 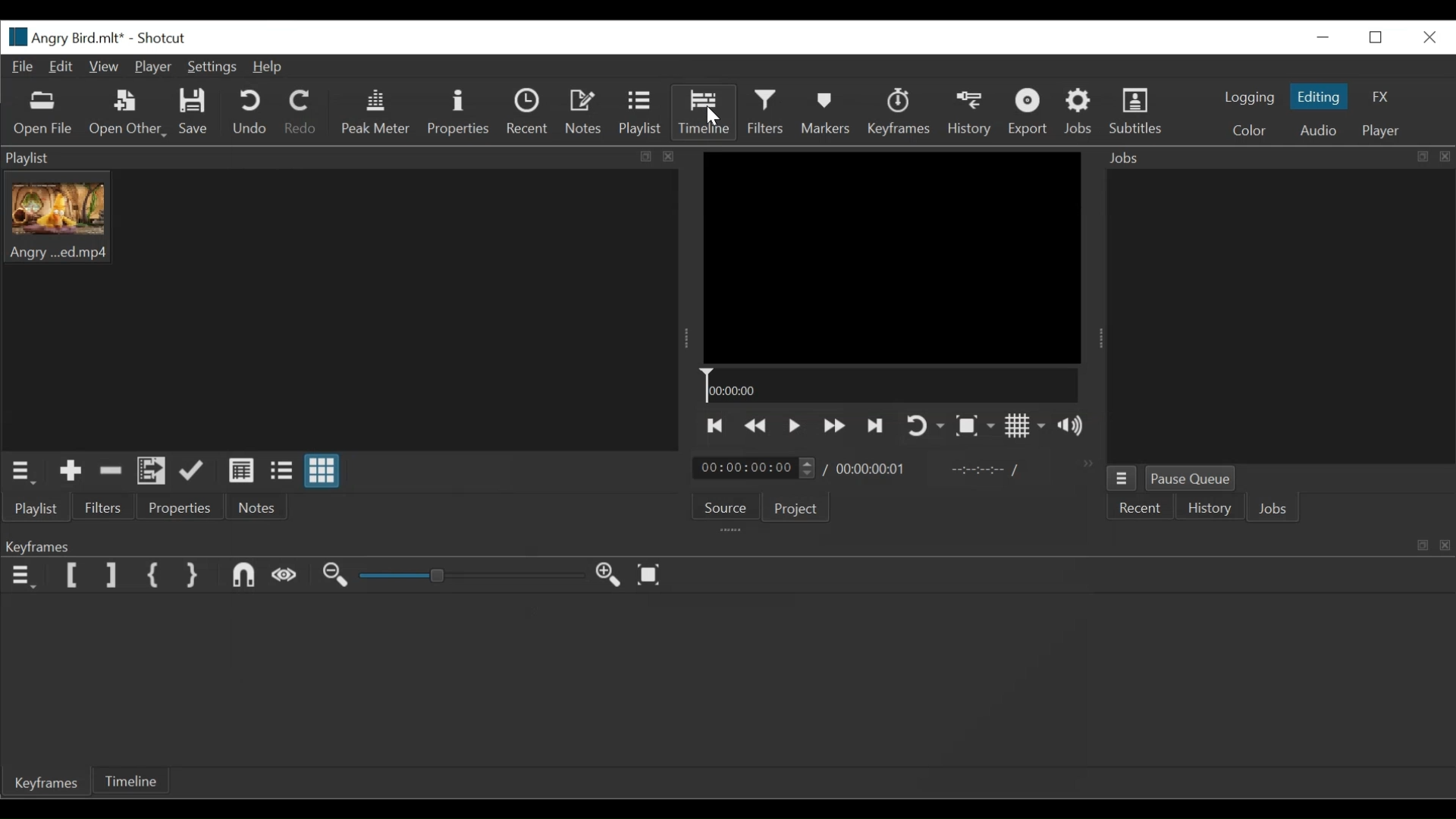 I want to click on Zoom keyframe in, so click(x=611, y=576).